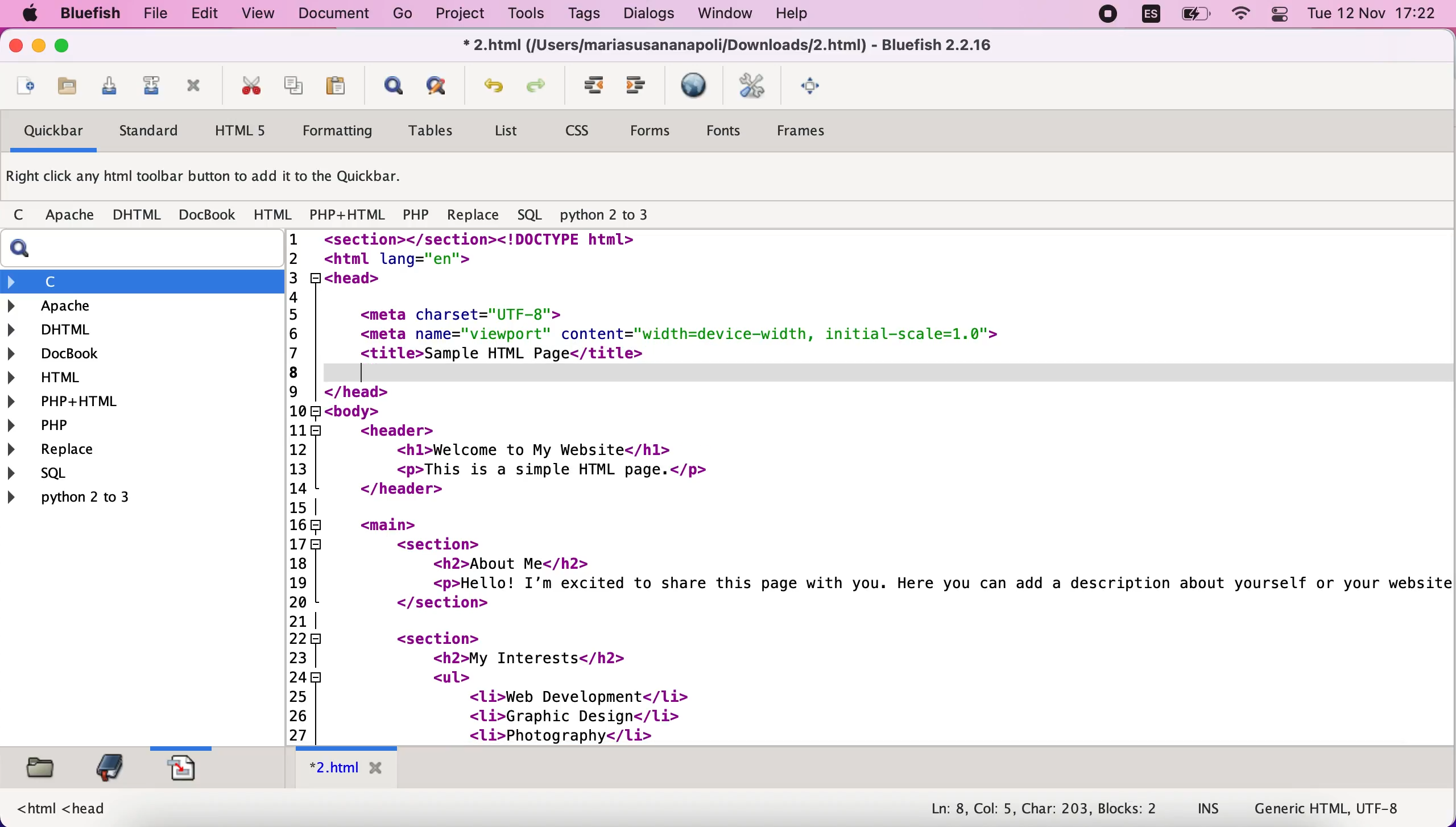 This screenshot has height=827, width=1456. I want to click on Edit preferences, so click(758, 87).